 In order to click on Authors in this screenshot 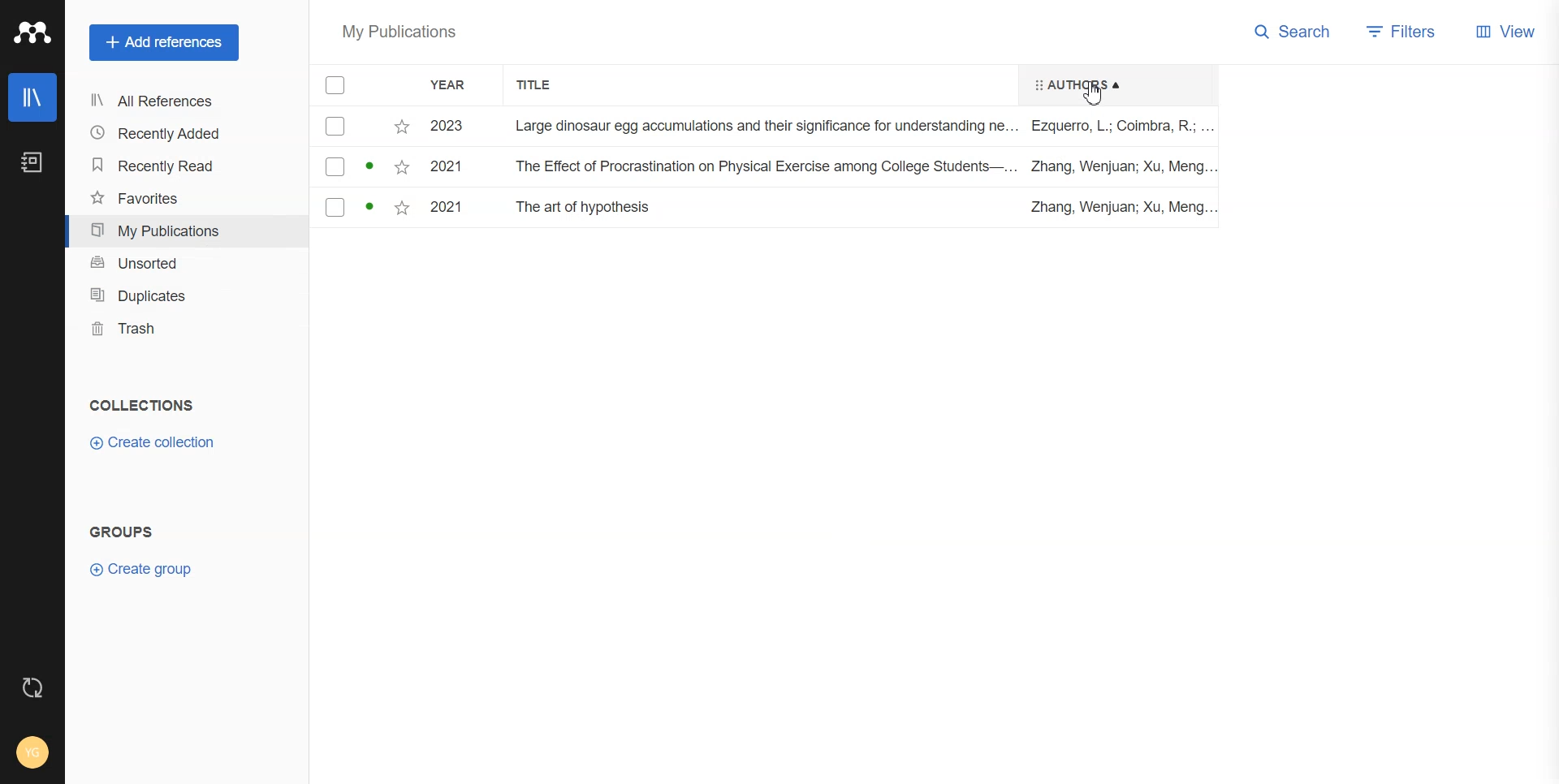, I will do `click(1071, 84)`.